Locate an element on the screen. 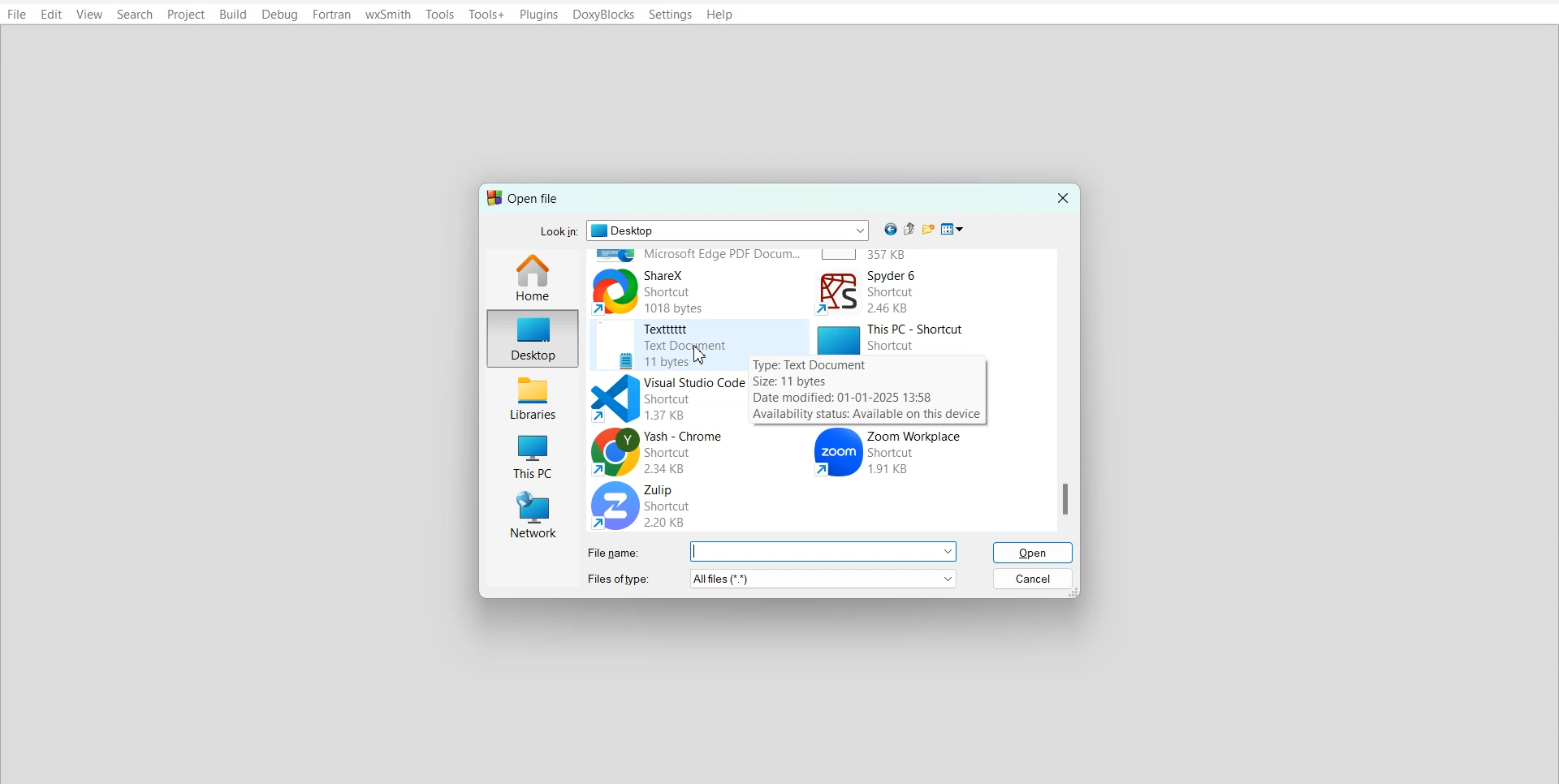 The height and width of the screenshot is (784, 1559). Project is located at coordinates (185, 15).